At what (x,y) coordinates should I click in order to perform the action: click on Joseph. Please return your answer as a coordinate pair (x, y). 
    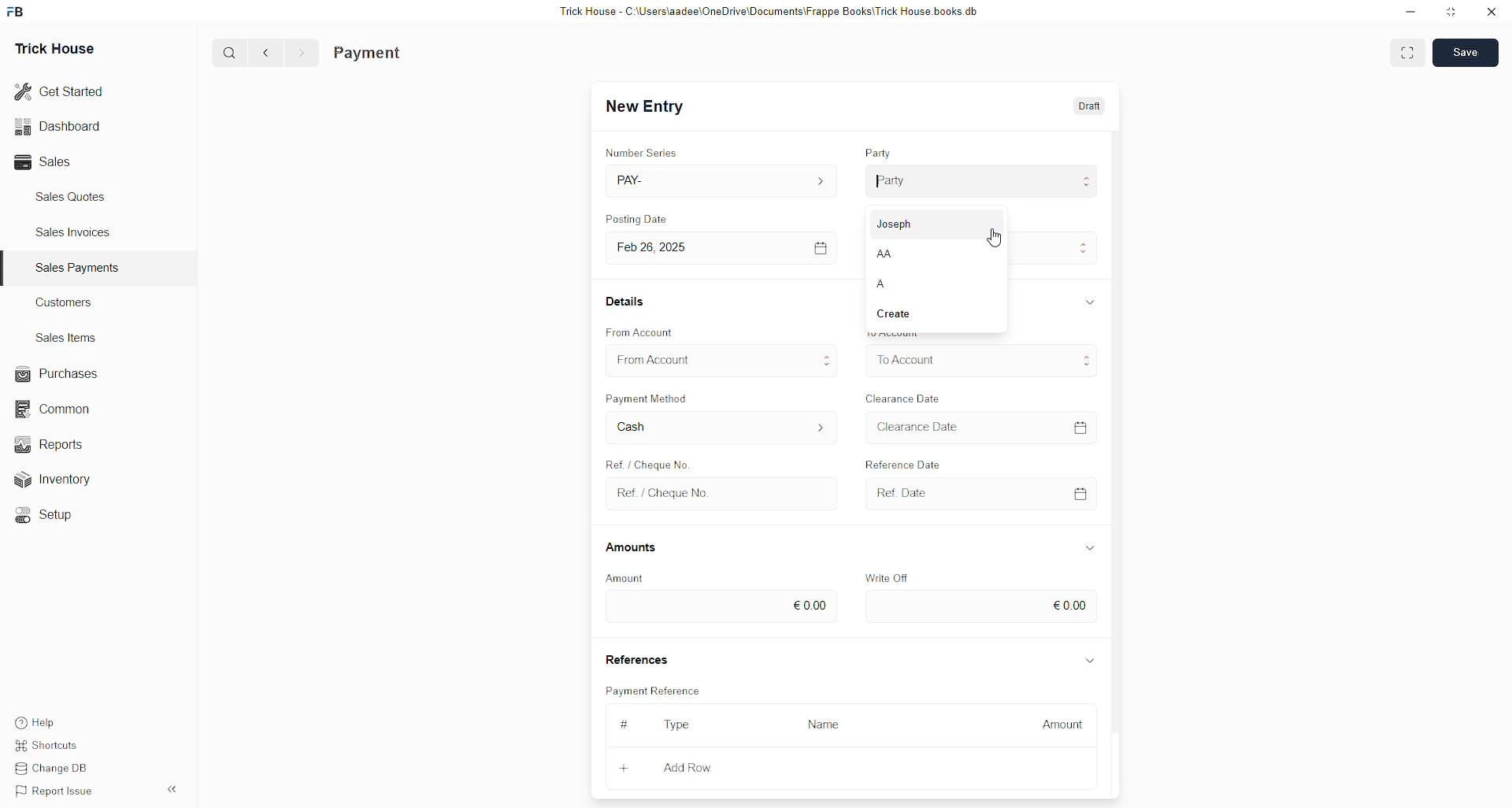
    Looking at the image, I should click on (934, 224).